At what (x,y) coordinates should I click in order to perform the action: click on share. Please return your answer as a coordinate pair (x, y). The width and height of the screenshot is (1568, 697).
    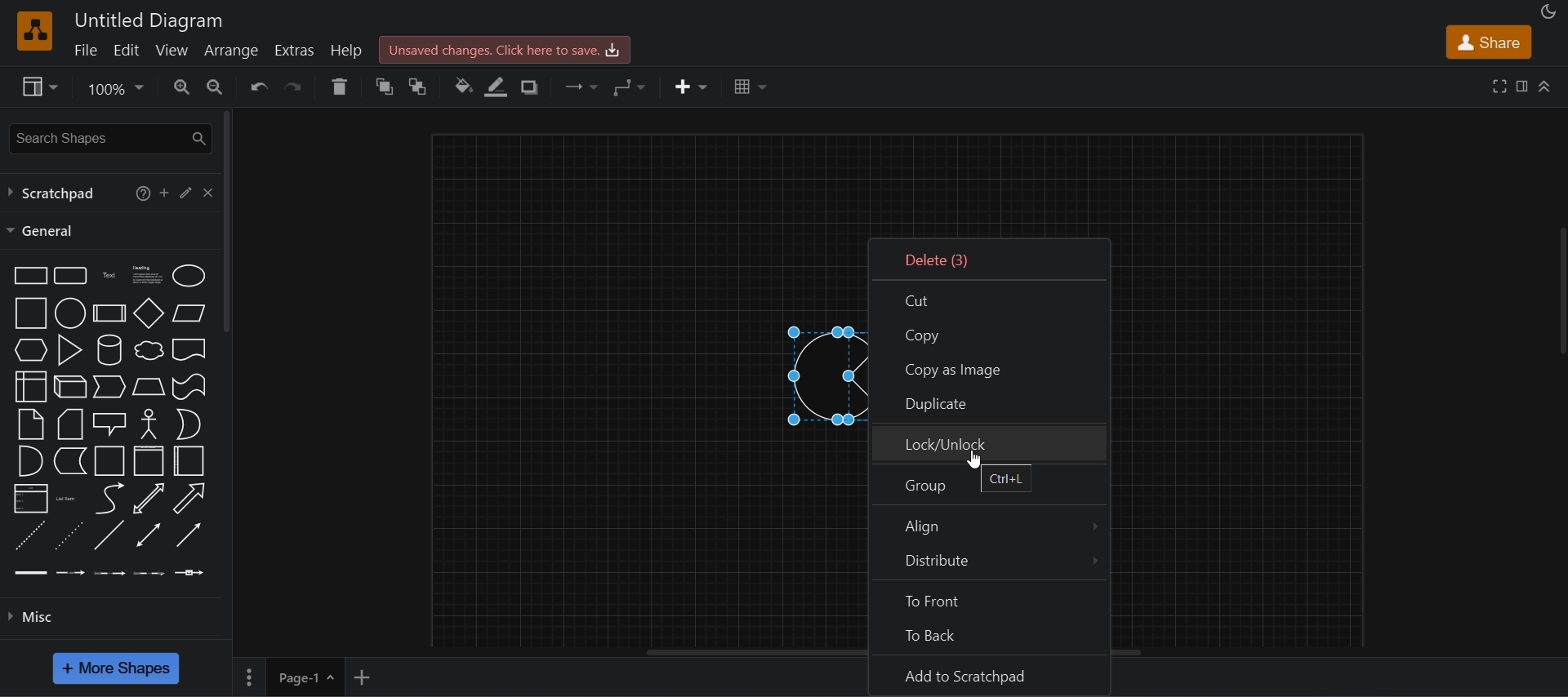
    Looking at the image, I should click on (1488, 42).